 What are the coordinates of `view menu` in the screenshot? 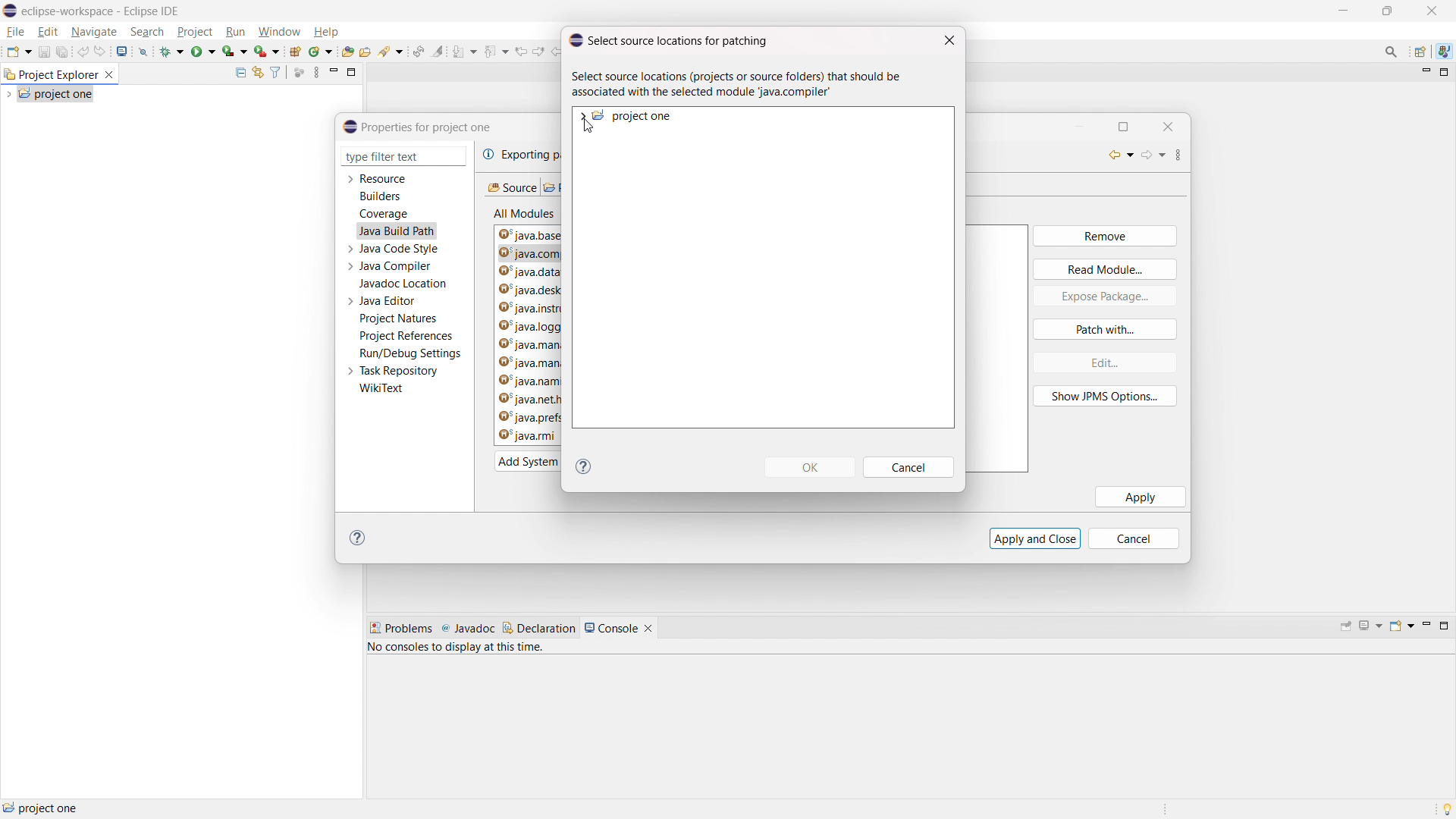 It's located at (316, 72).